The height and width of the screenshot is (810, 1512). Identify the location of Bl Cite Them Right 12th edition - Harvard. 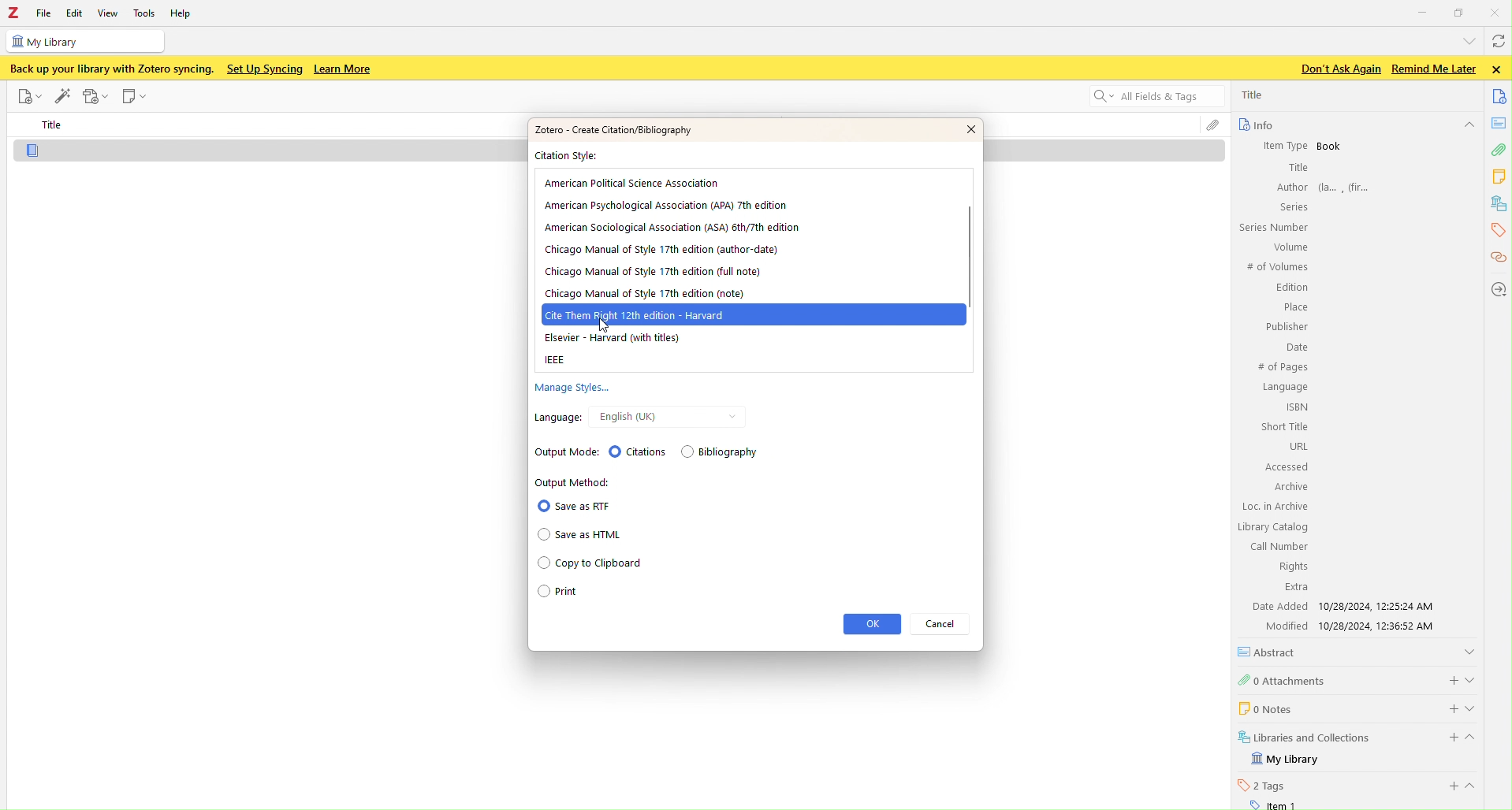
(643, 313).